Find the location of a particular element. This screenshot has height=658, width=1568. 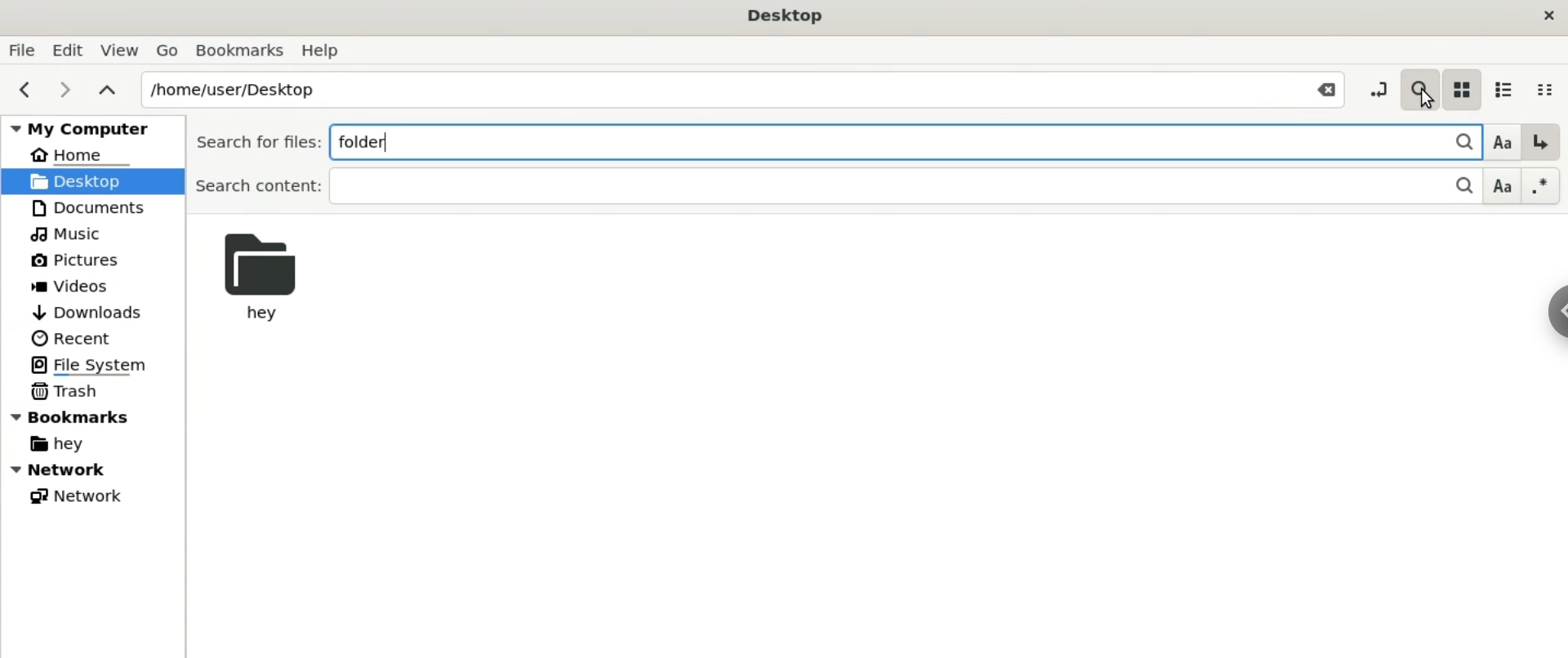

Trash is located at coordinates (65, 390).